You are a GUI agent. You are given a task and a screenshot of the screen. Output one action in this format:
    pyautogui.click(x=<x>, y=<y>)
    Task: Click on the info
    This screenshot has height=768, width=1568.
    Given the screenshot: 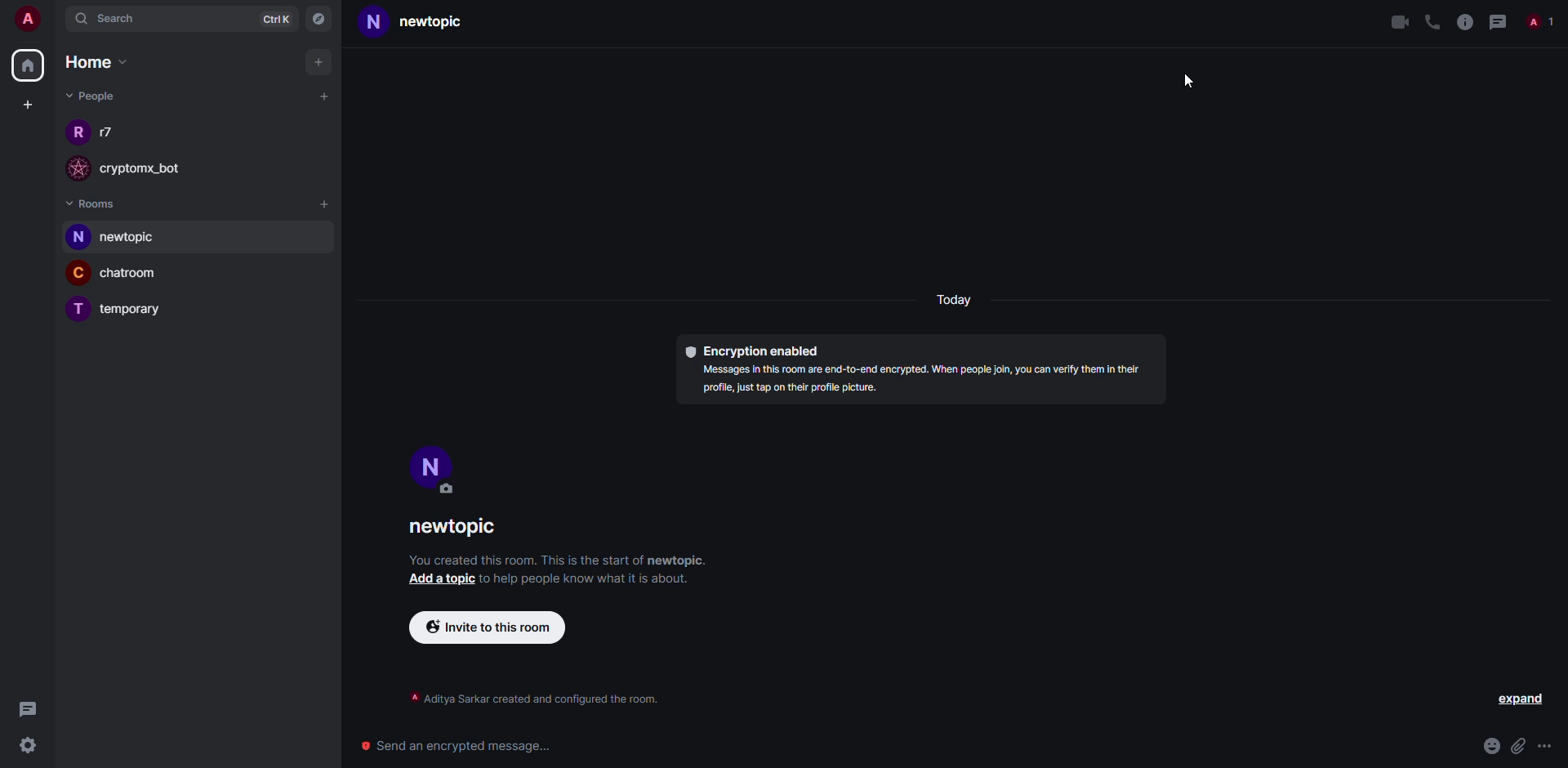 What is the action you would take?
    pyautogui.click(x=534, y=701)
    